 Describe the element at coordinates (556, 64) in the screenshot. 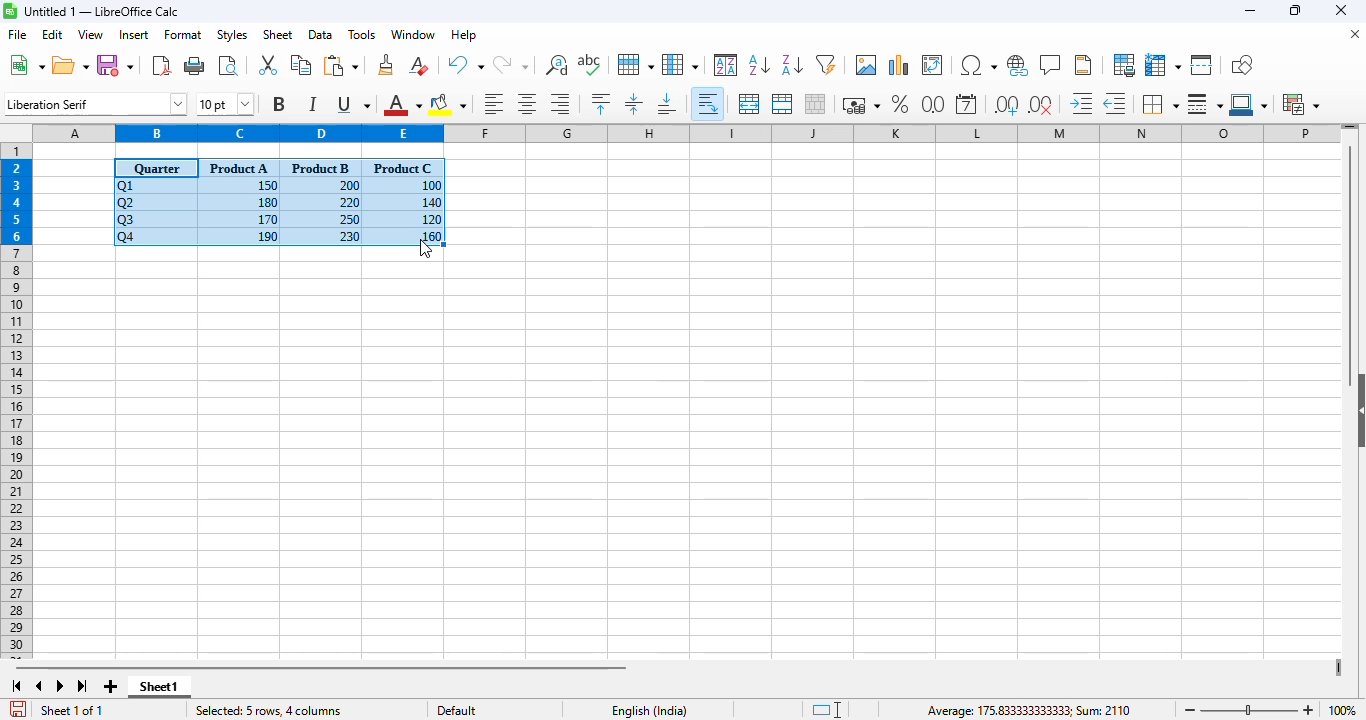

I see `find and replace` at that location.